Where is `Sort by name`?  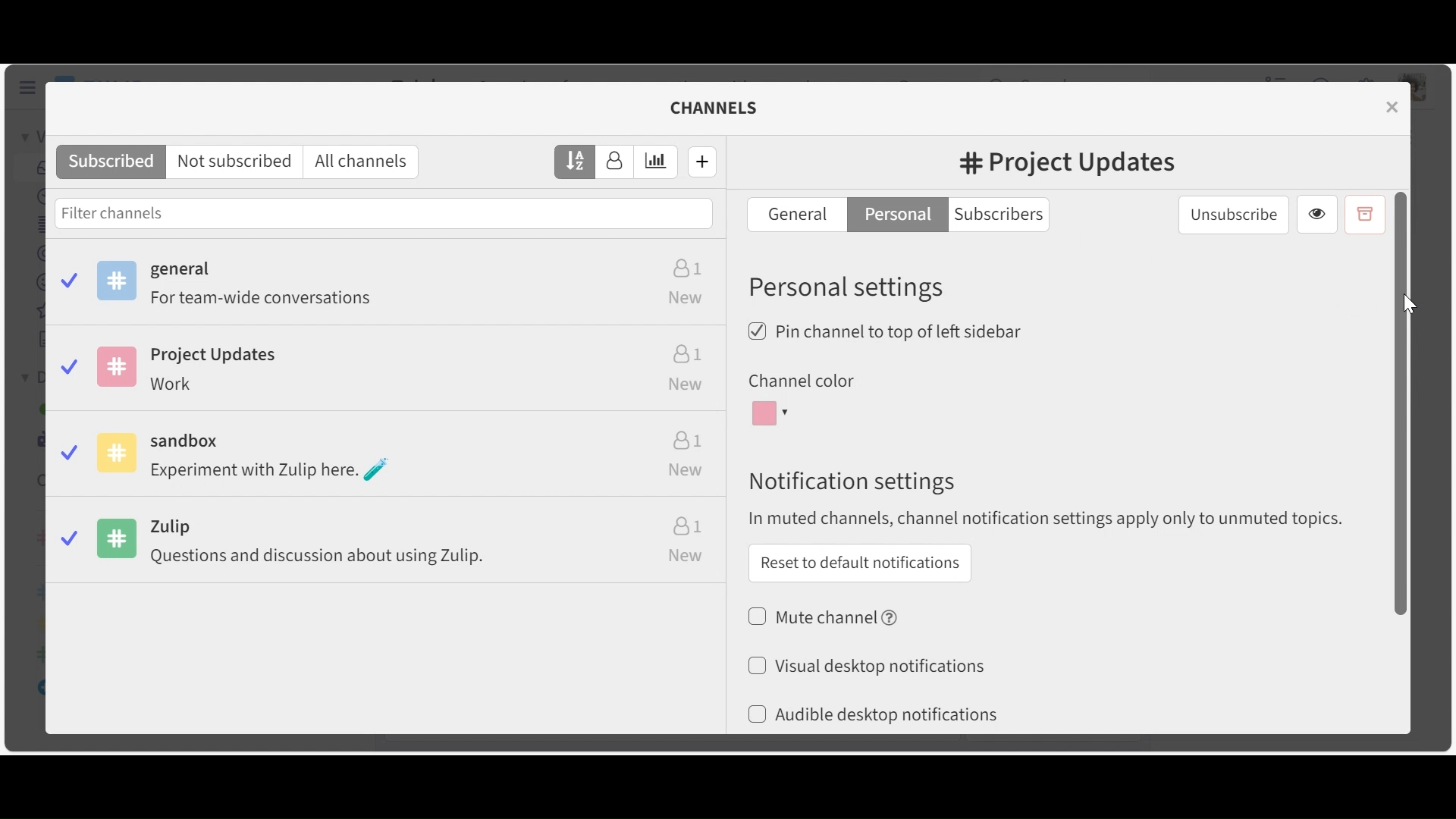 Sort by name is located at coordinates (576, 161).